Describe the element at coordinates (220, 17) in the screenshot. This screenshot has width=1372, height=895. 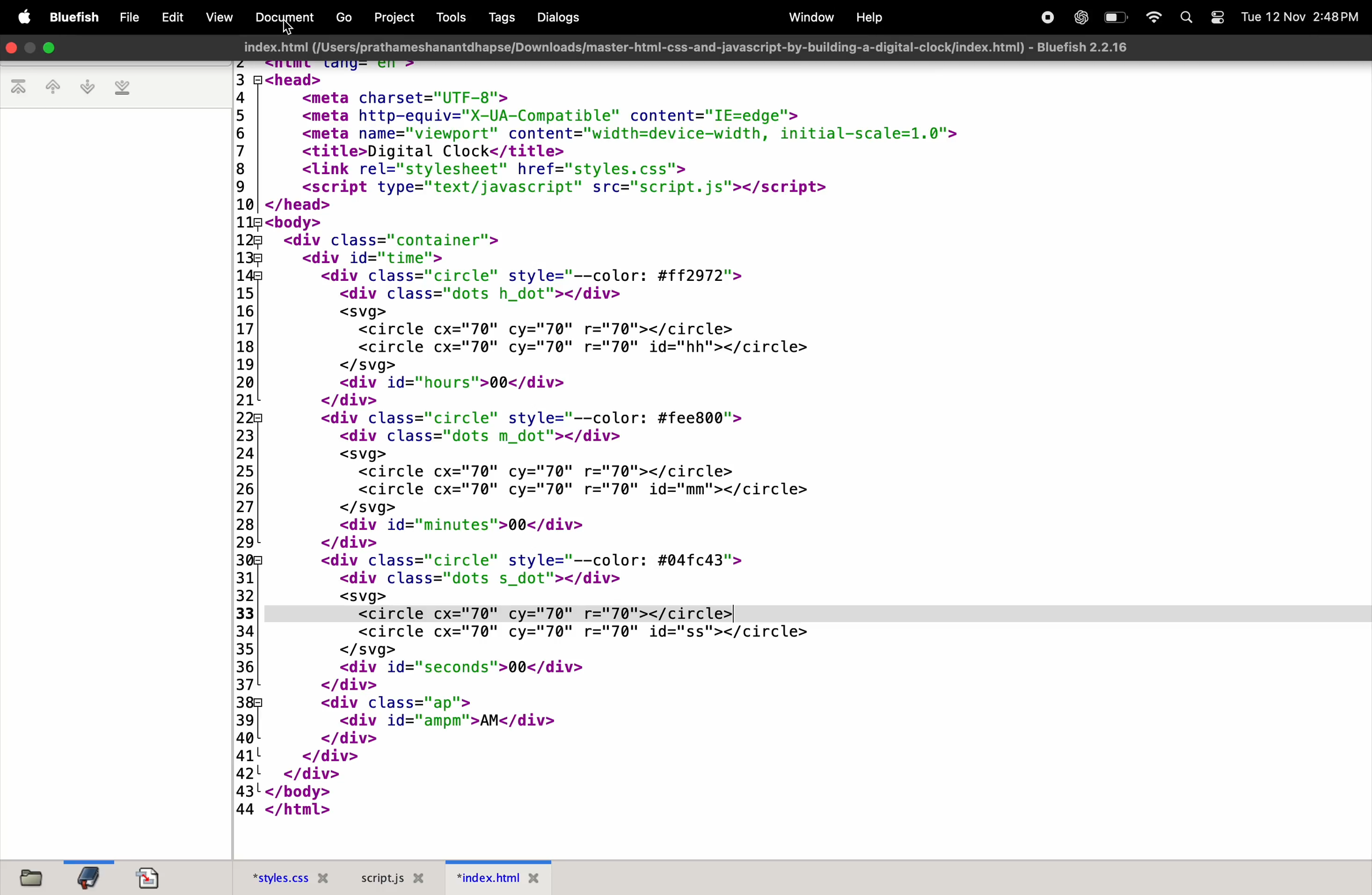
I see `view` at that location.